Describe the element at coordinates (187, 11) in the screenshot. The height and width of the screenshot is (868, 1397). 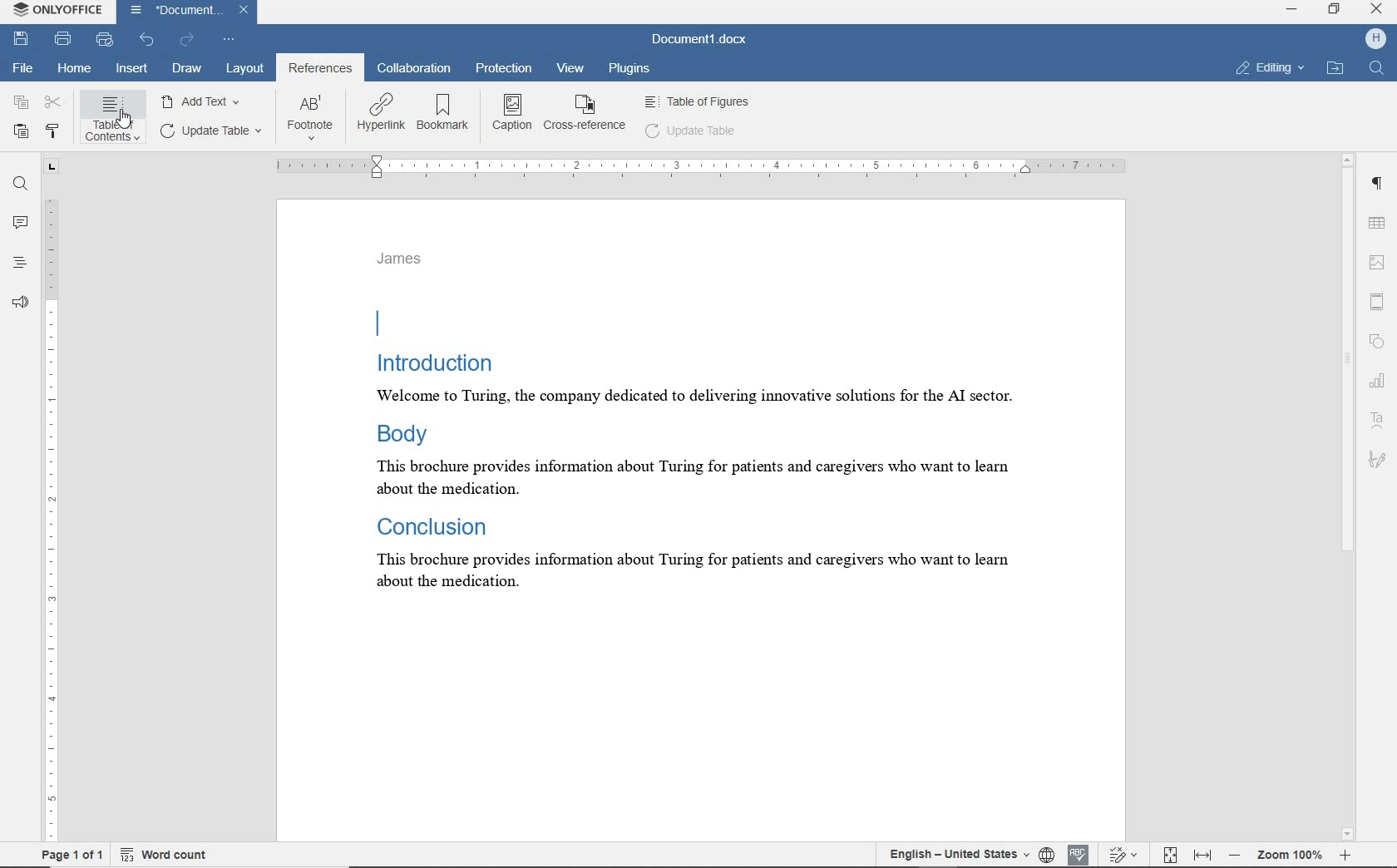
I see `document name` at that location.